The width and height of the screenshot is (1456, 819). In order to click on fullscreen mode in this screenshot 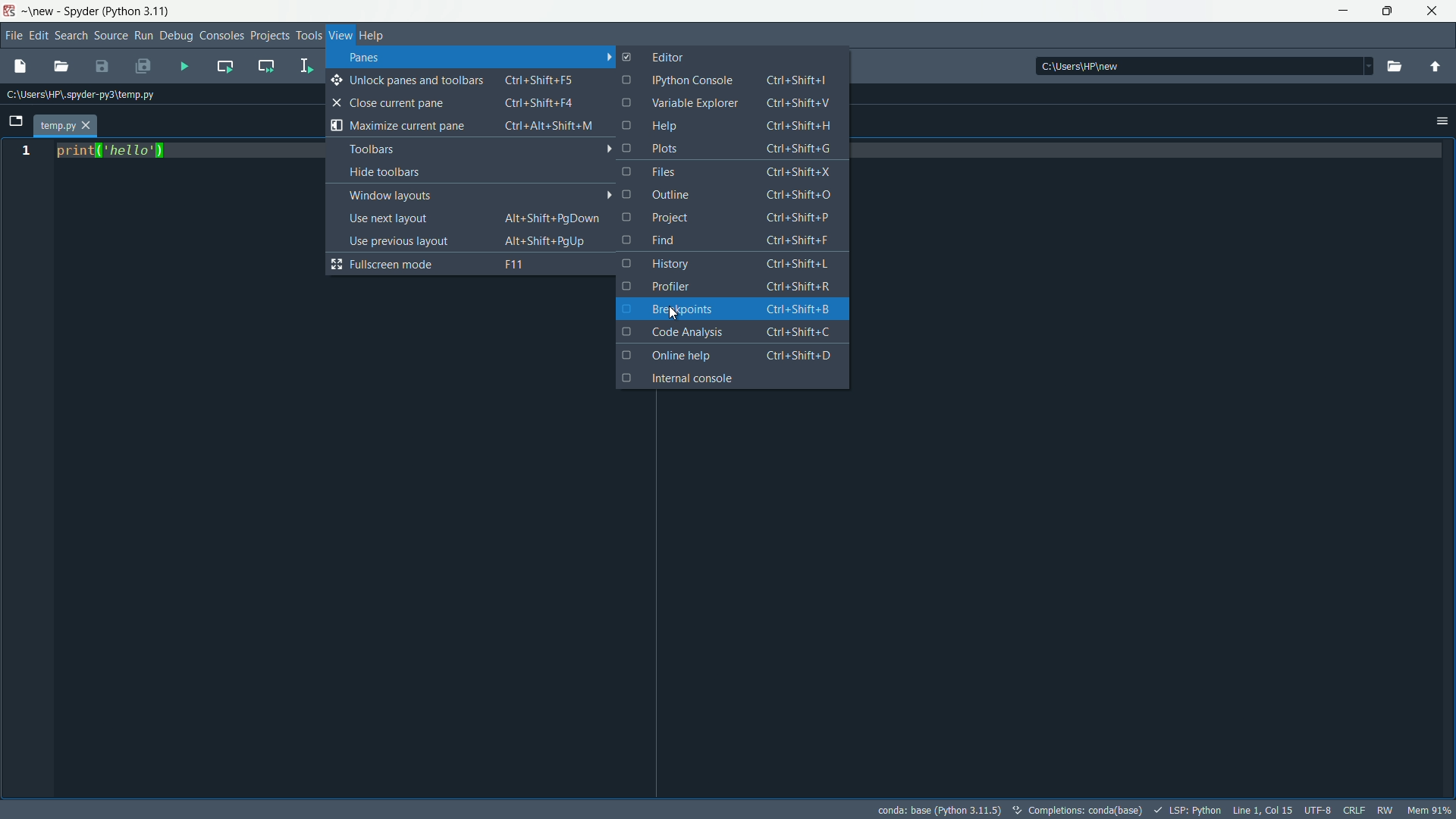, I will do `click(472, 264)`.